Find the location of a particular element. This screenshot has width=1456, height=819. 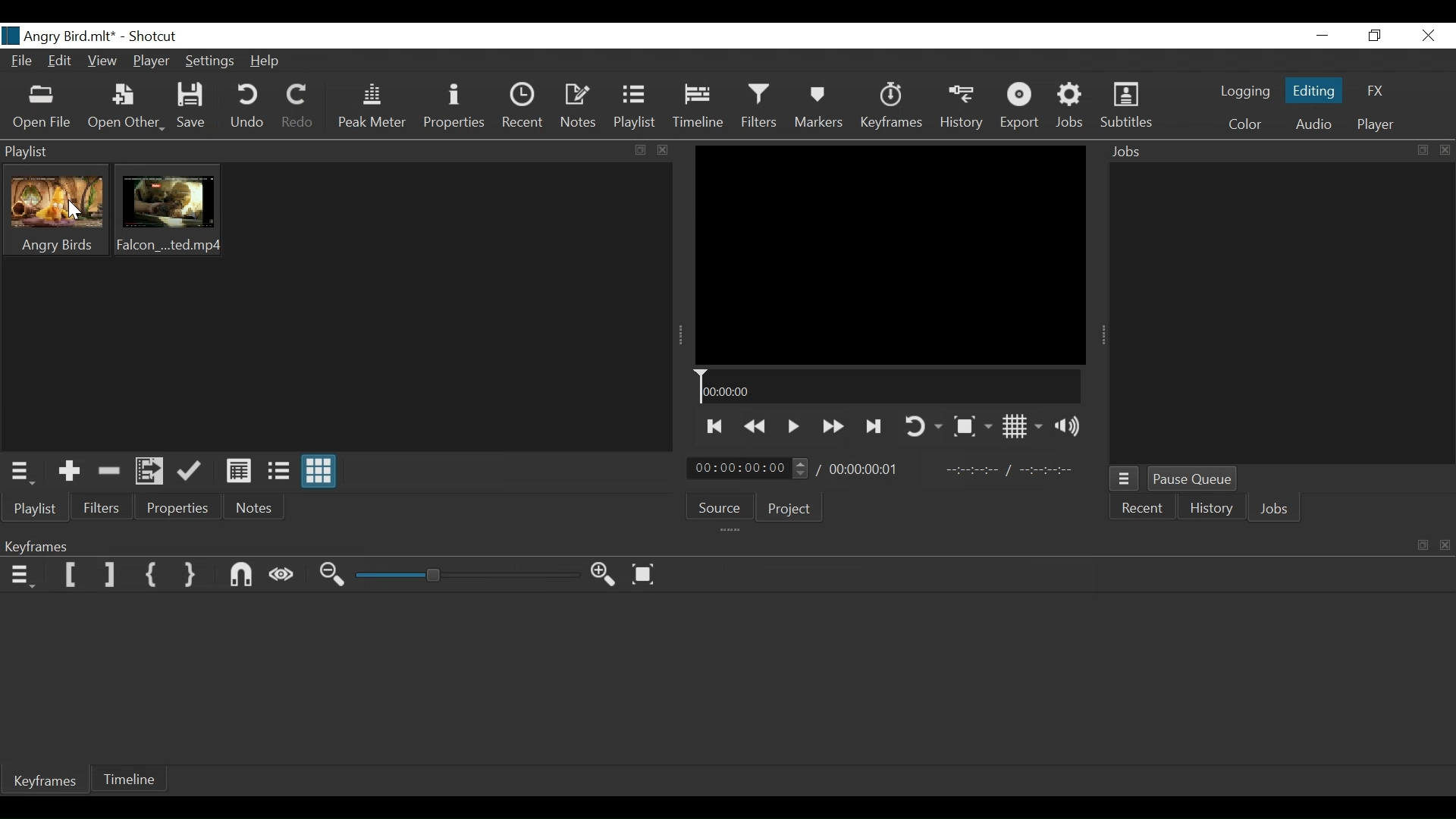

Zoom slider is located at coordinates (467, 576).